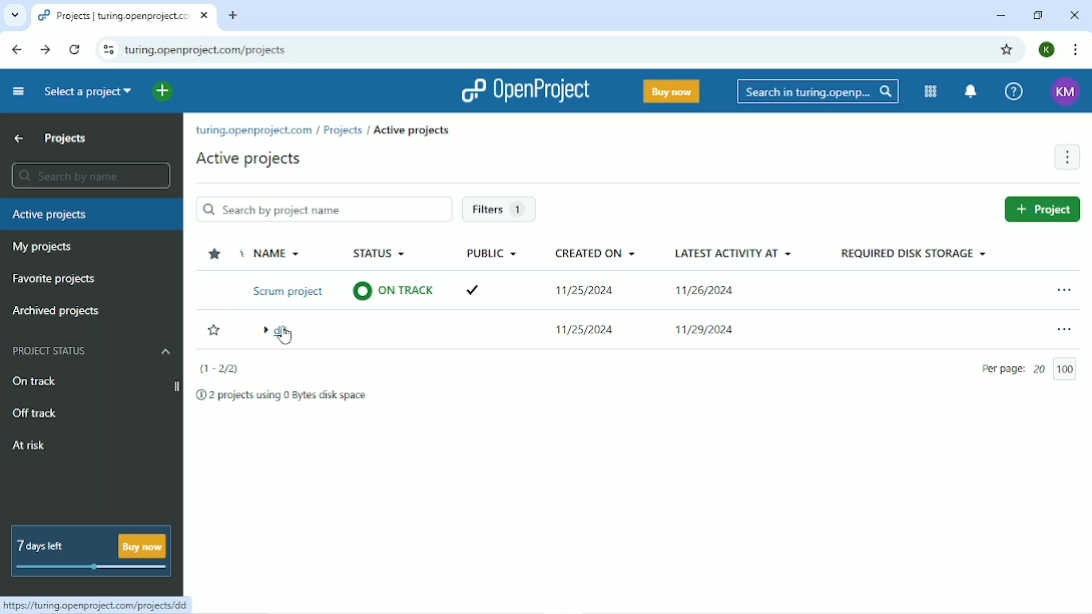 The height and width of the screenshot is (614, 1092). Describe the element at coordinates (101, 603) in the screenshot. I see `Link` at that location.